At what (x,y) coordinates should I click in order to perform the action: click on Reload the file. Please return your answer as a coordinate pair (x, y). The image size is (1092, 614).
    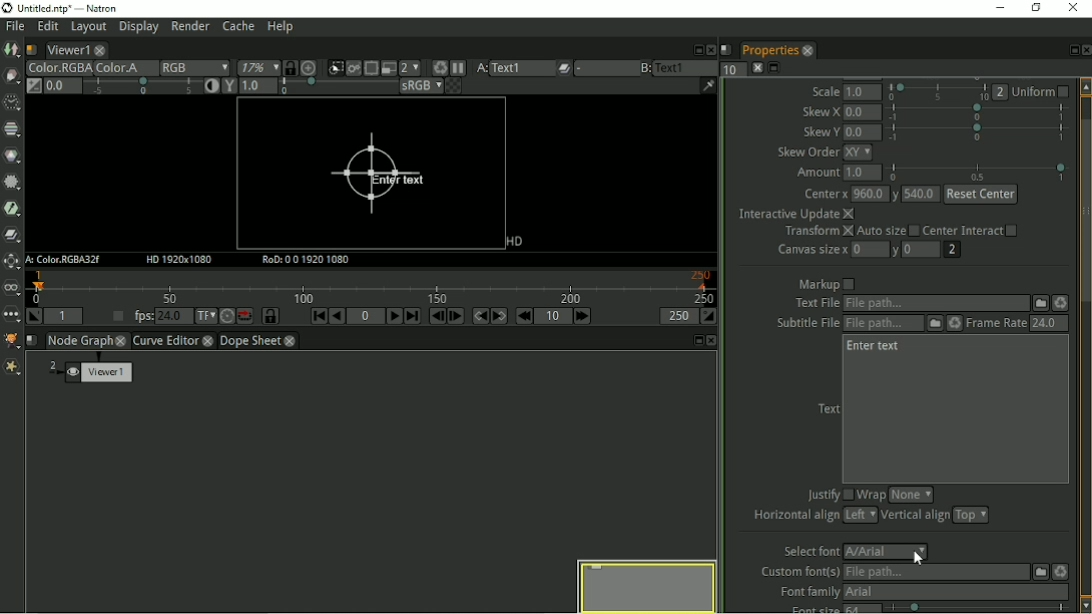
    Looking at the image, I should click on (1060, 303).